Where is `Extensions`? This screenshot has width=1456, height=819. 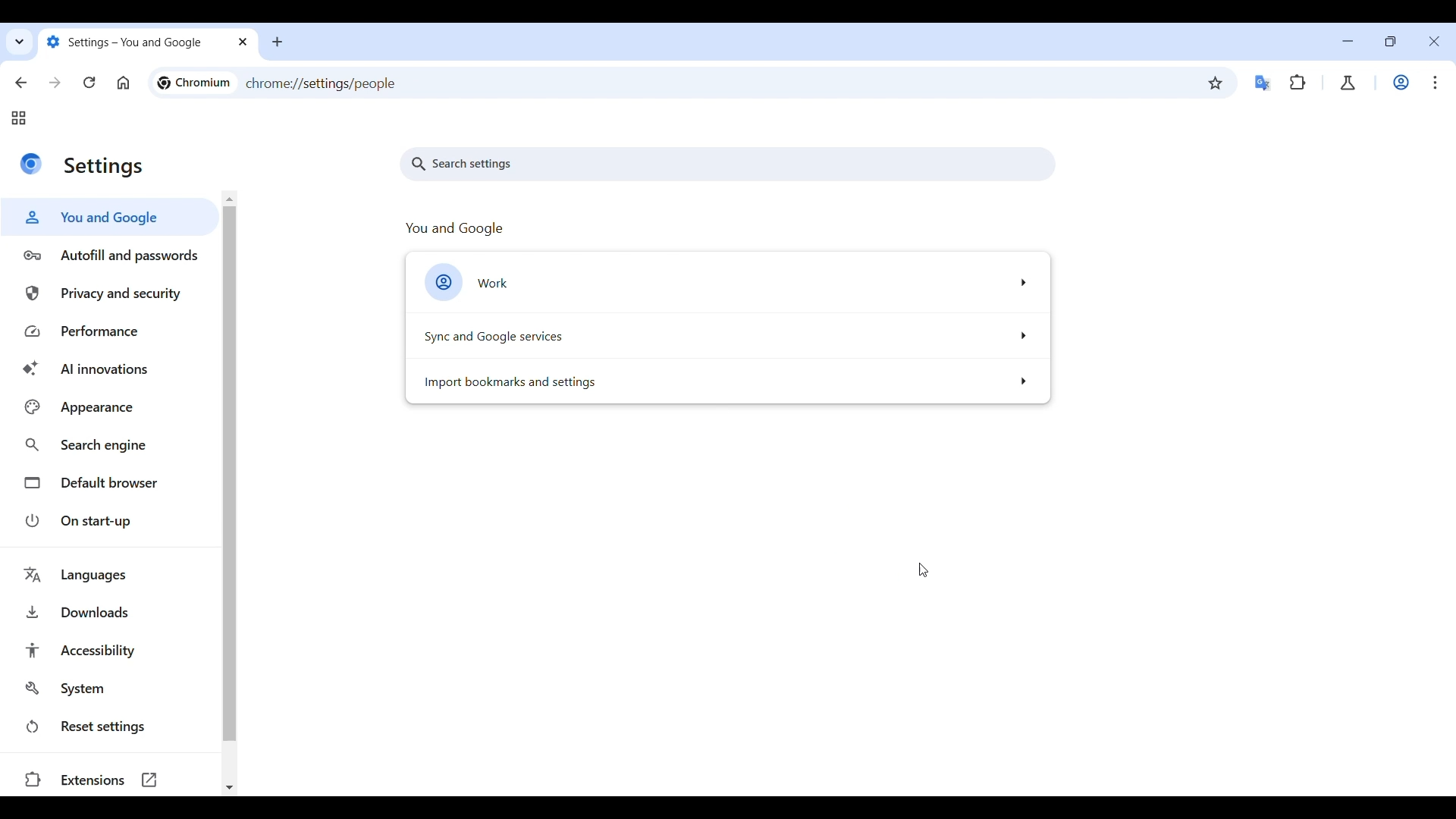 Extensions is located at coordinates (1298, 83).